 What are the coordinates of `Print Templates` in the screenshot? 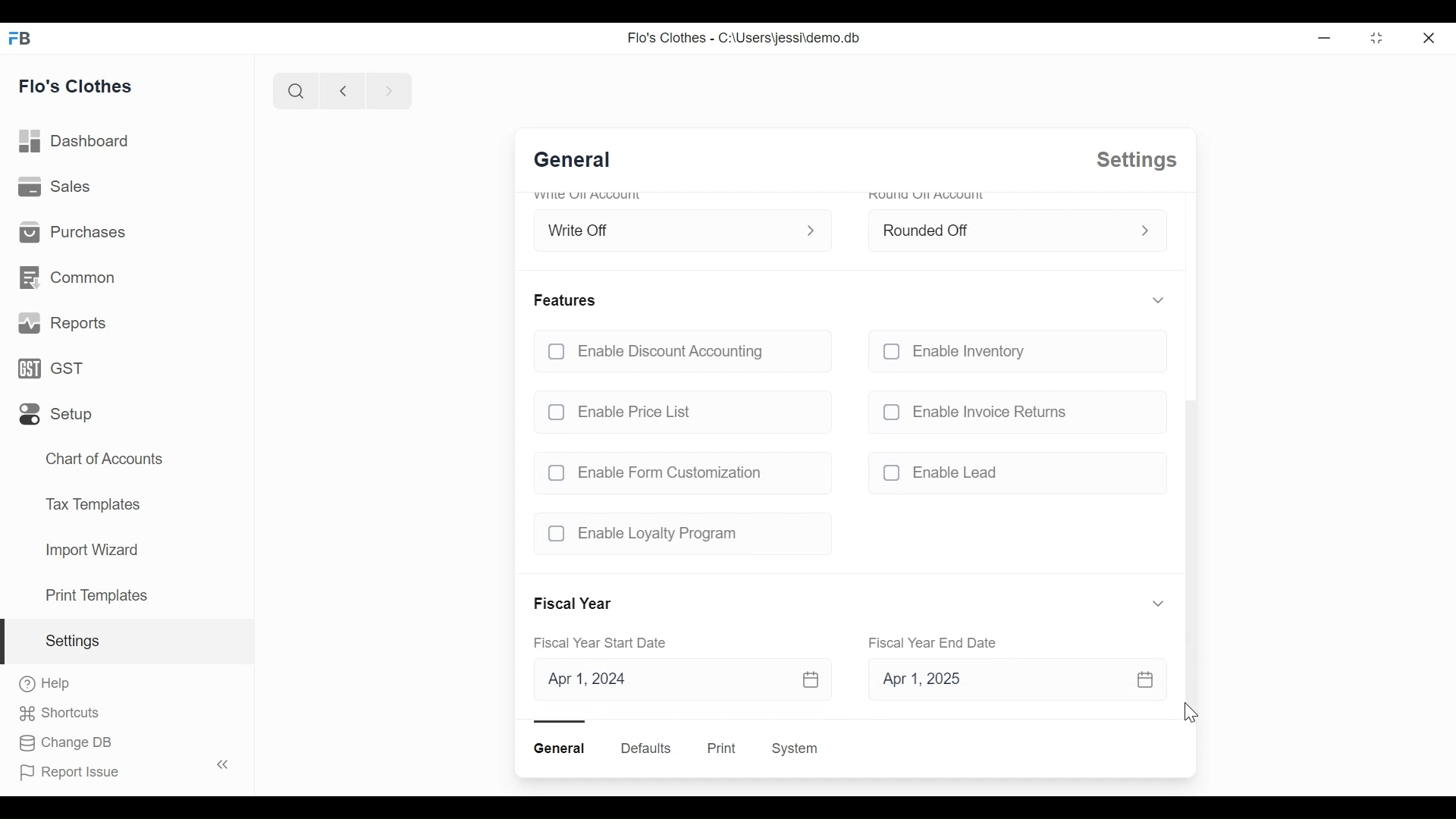 It's located at (96, 595).